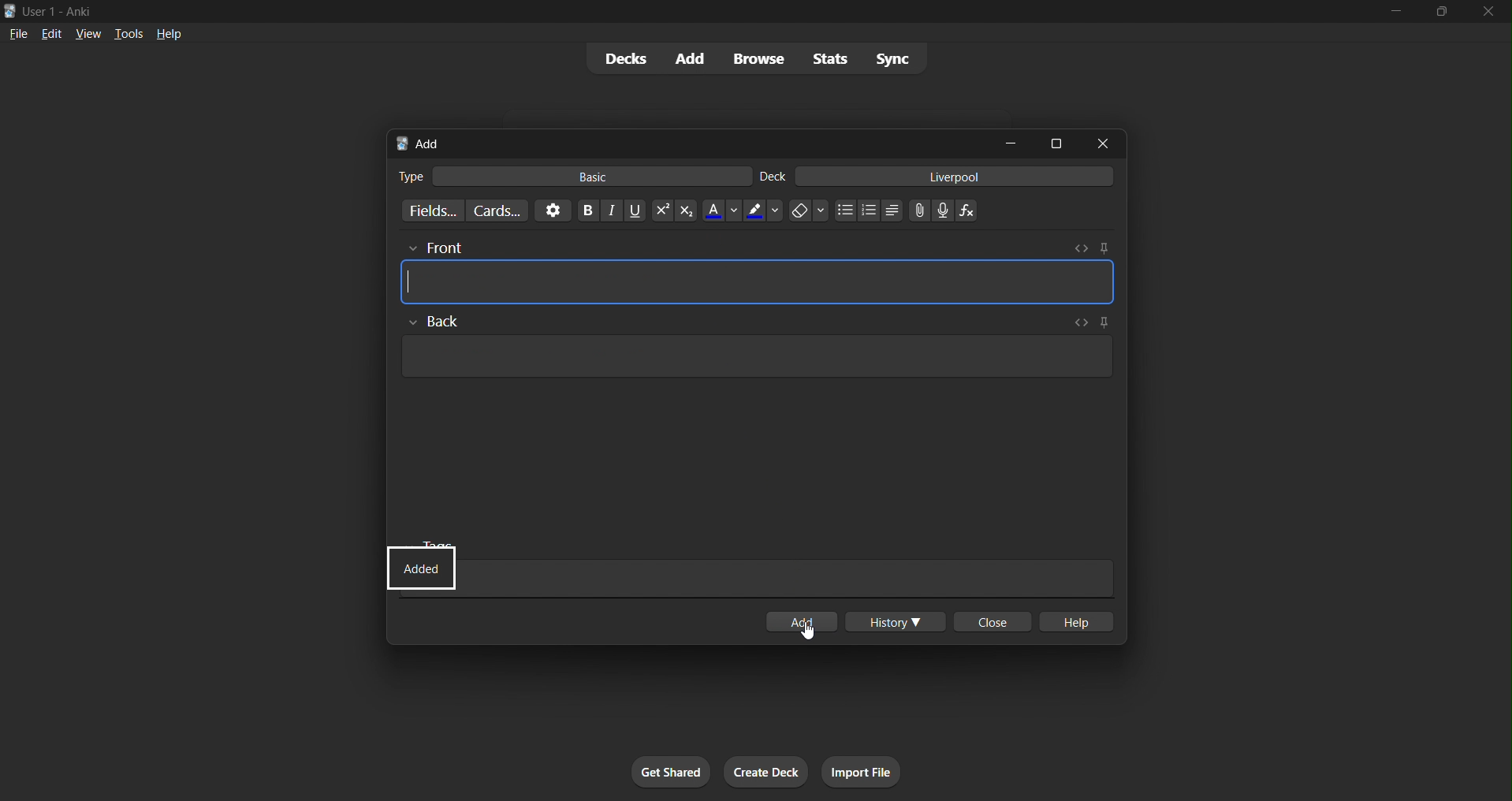  What do you see at coordinates (572, 174) in the screenshot?
I see `basic card type input field` at bounding box center [572, 174].